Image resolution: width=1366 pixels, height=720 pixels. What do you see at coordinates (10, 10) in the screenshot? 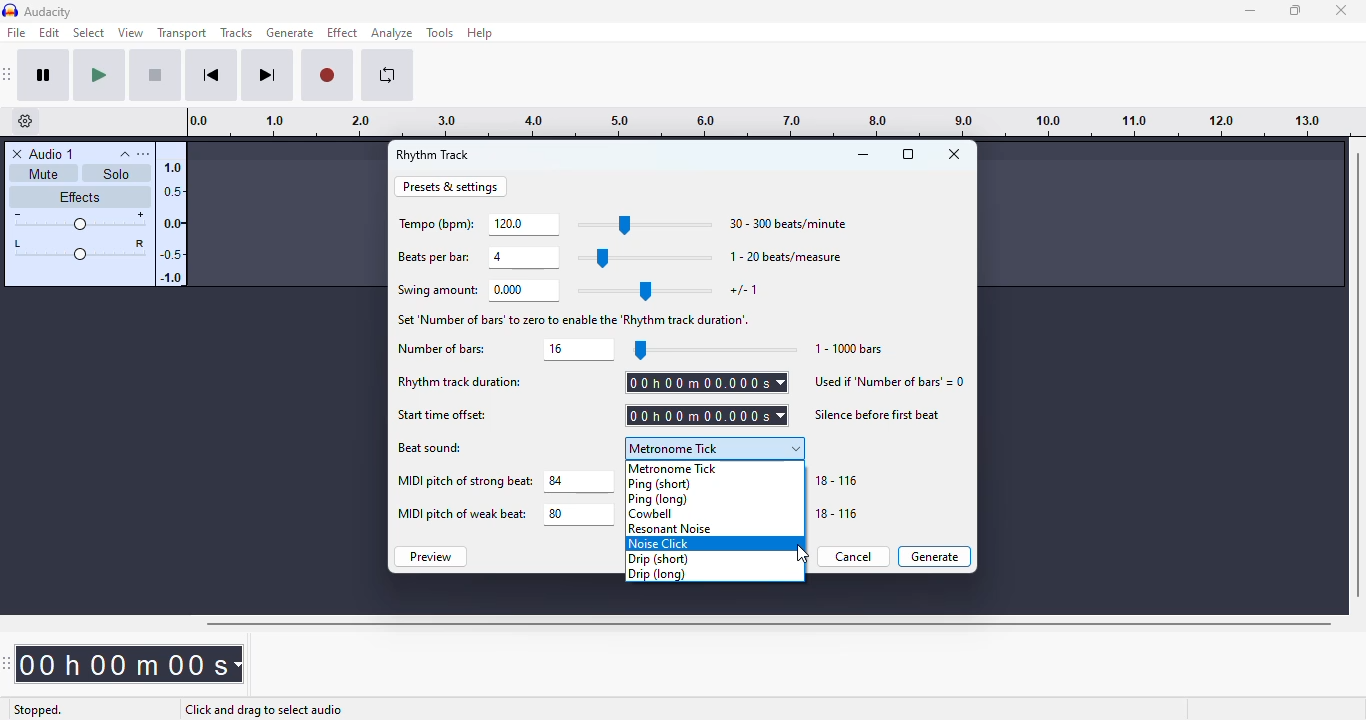
I see `logo` at bounding box center [10, 10].